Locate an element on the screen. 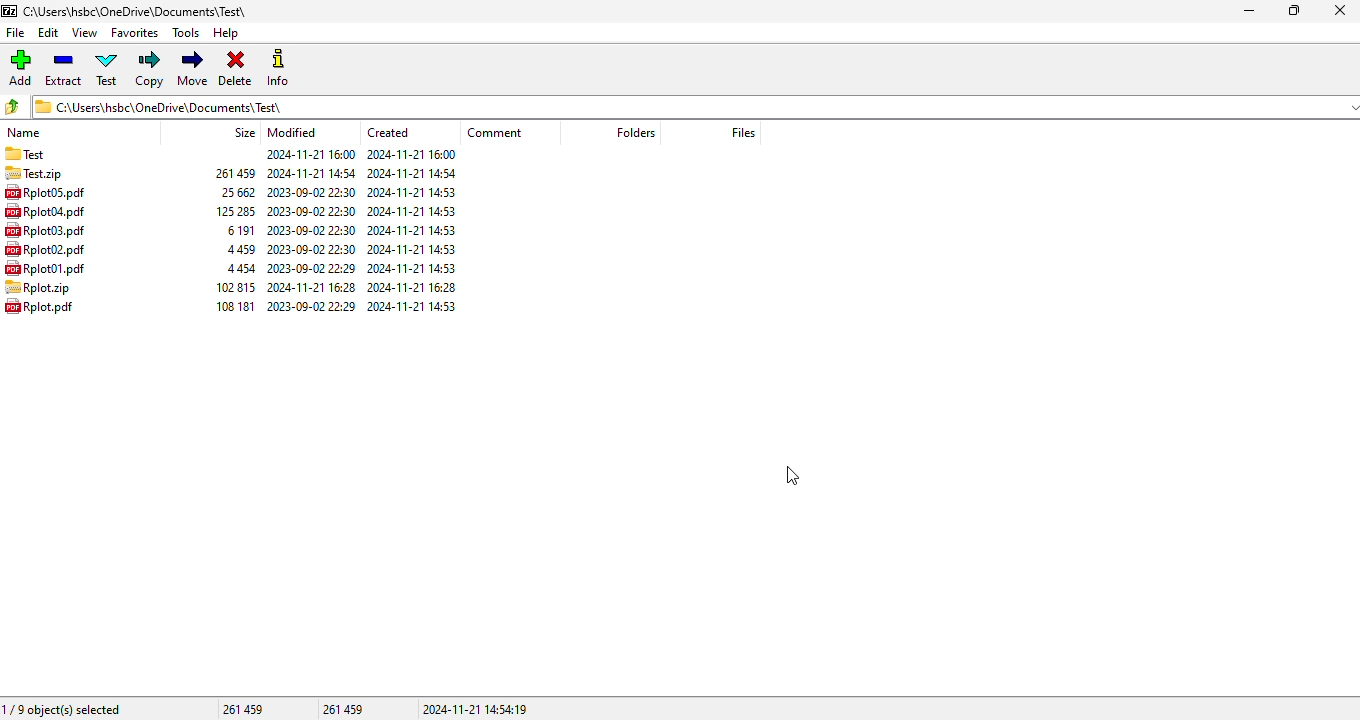 This screenshot has width=1360, height=720. created date & time is located at coordinates (411, 191).